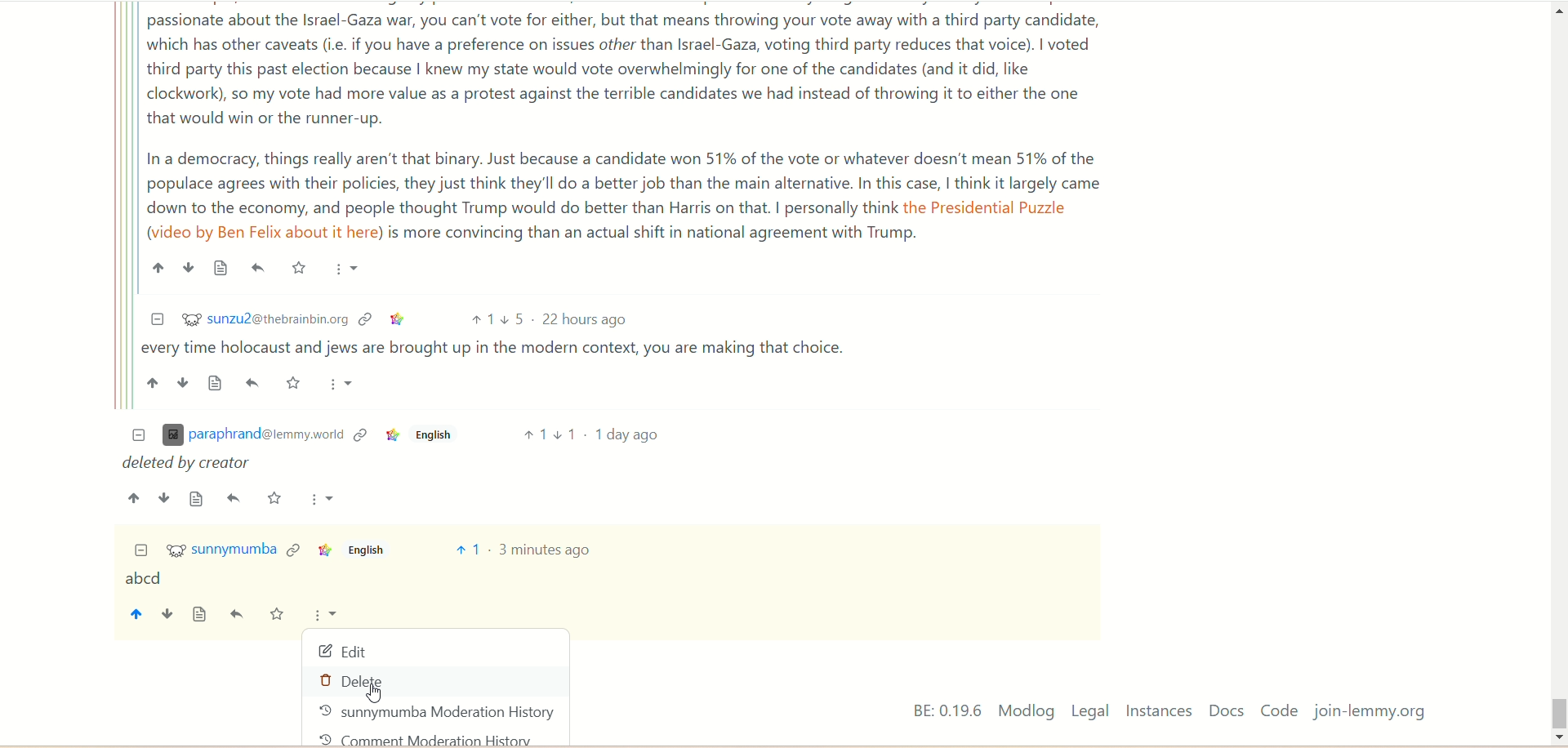  Describe the element at coordinates (390, 437) in the screenshot. I see `Link` at that location.